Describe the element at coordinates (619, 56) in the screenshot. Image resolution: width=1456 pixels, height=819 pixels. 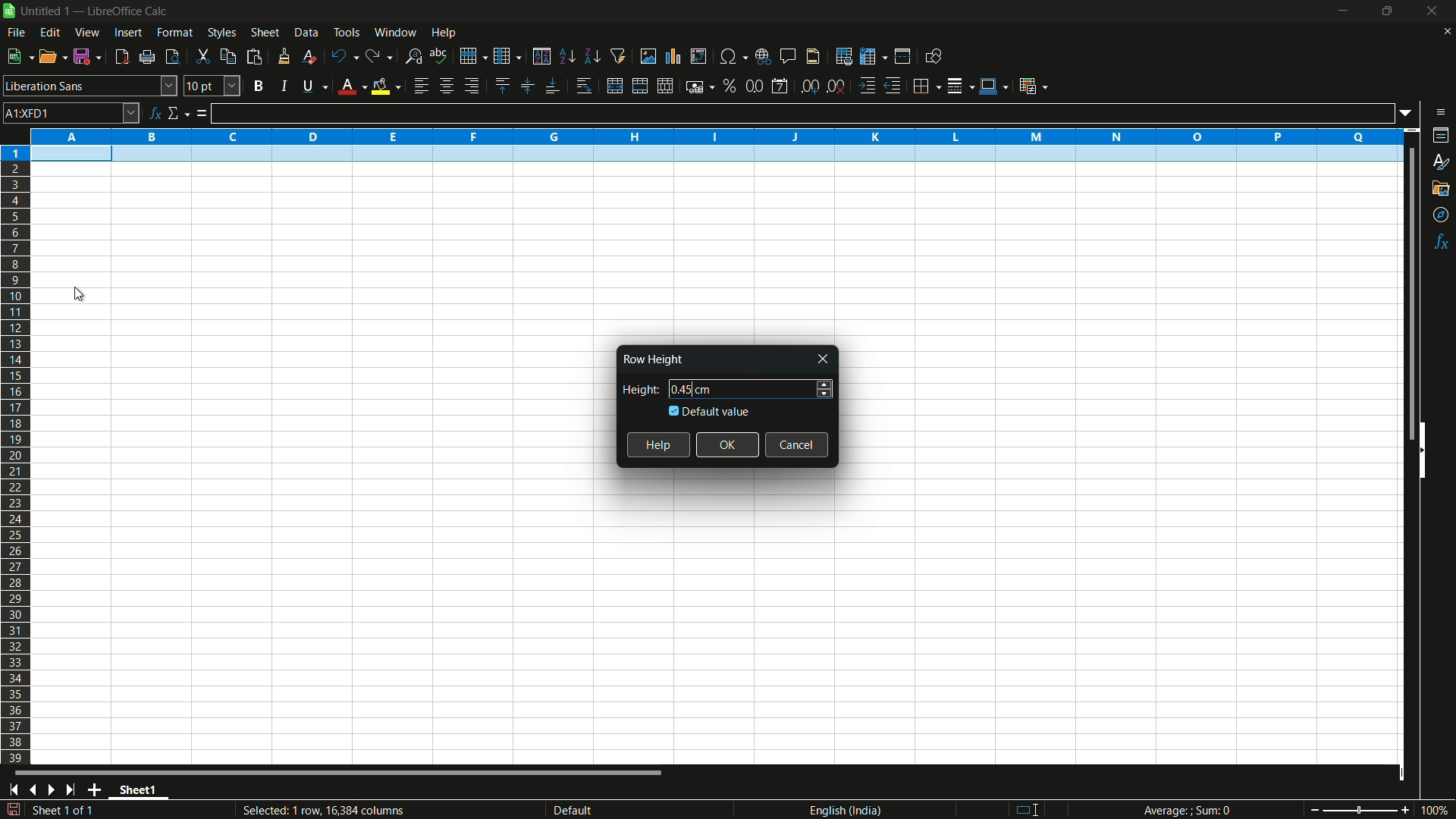
I see `auto filter` at that location.